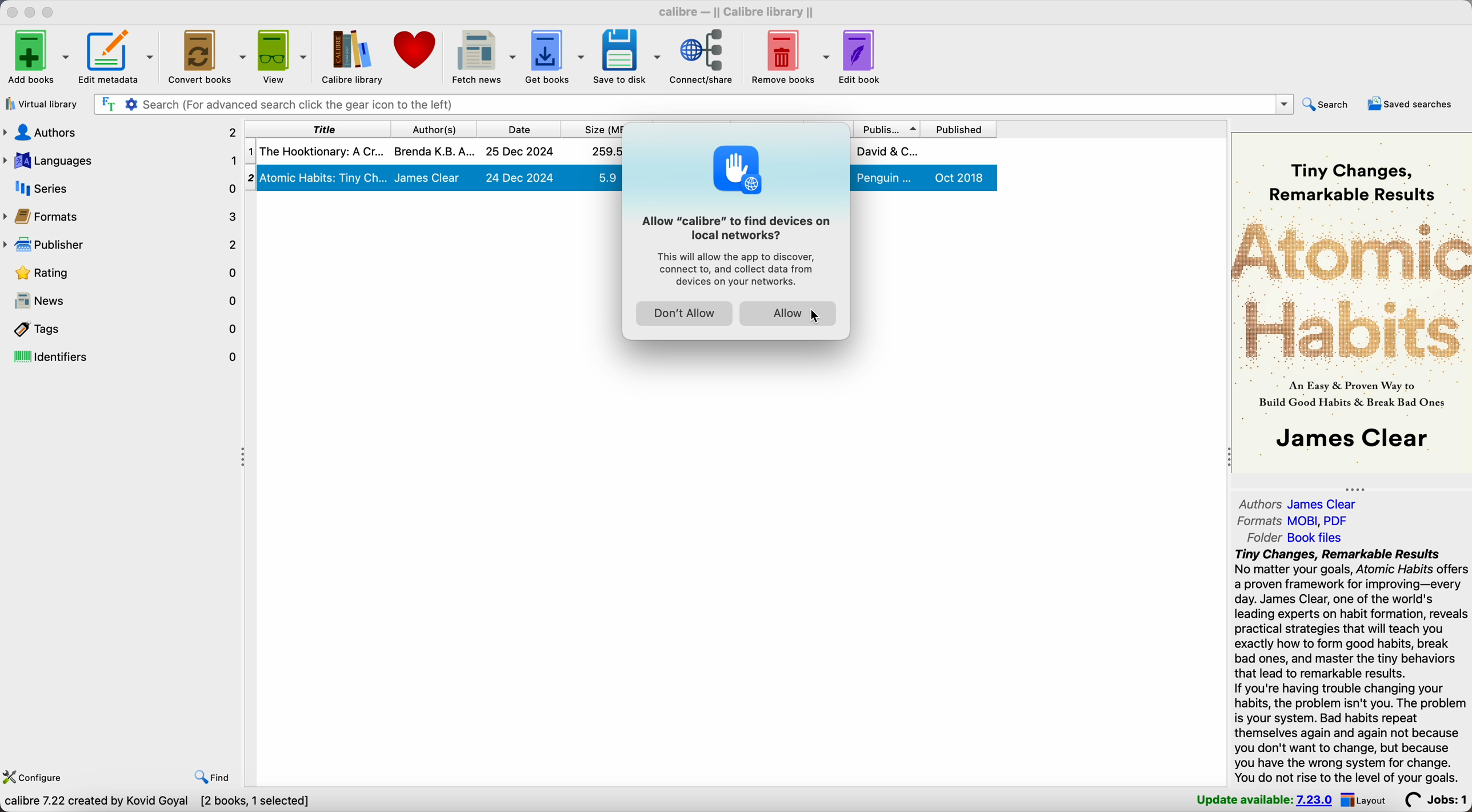  Describe the element at coordinates (521, 129) in the screenshot. I see `date` at that location.